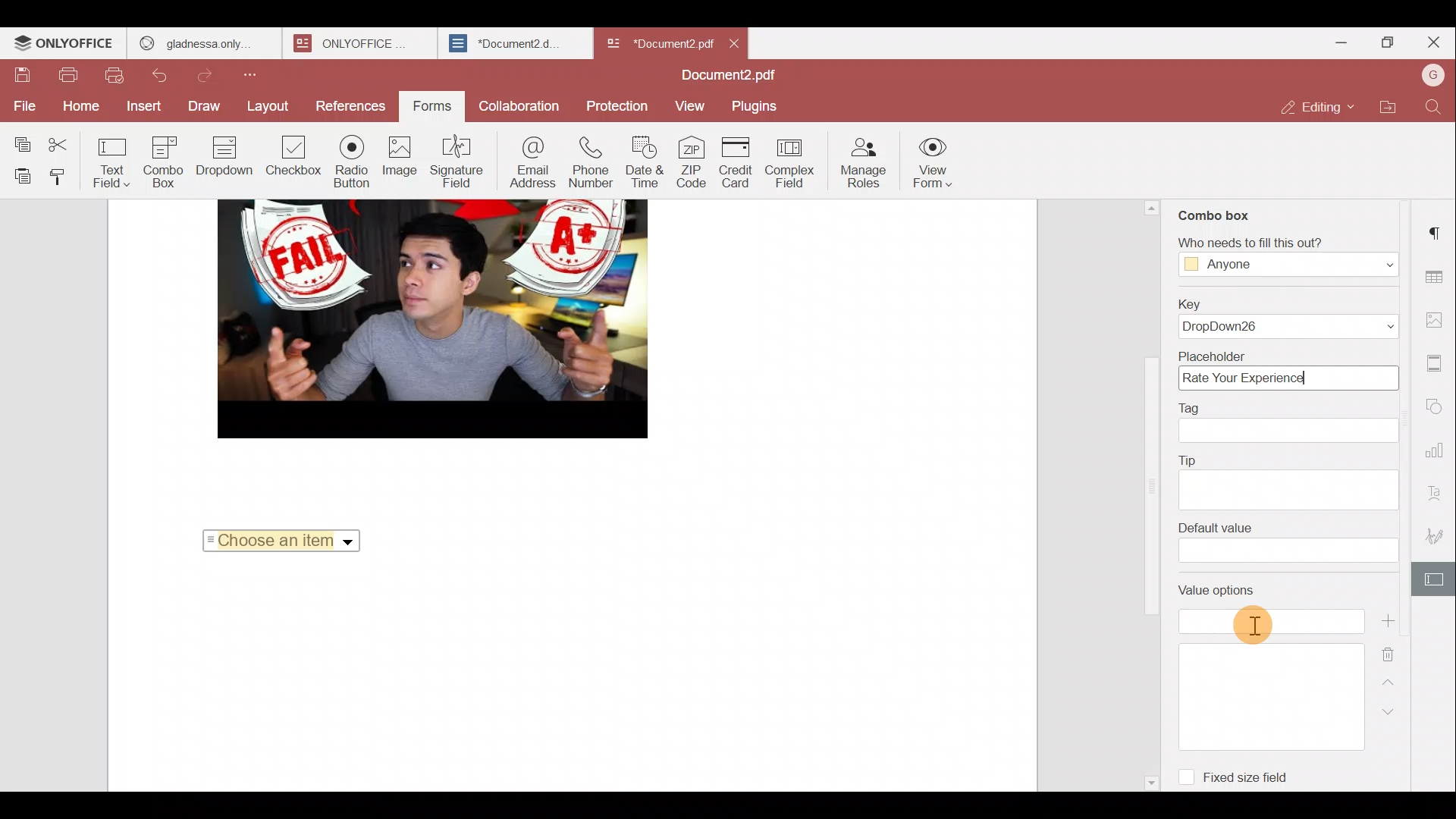 Image resolution: width=1456 pixels, height=819 pixels. What do you see at coordinates (169, 162) in the screenshot?
I see `Combo box` at bounding box center [169, 162].